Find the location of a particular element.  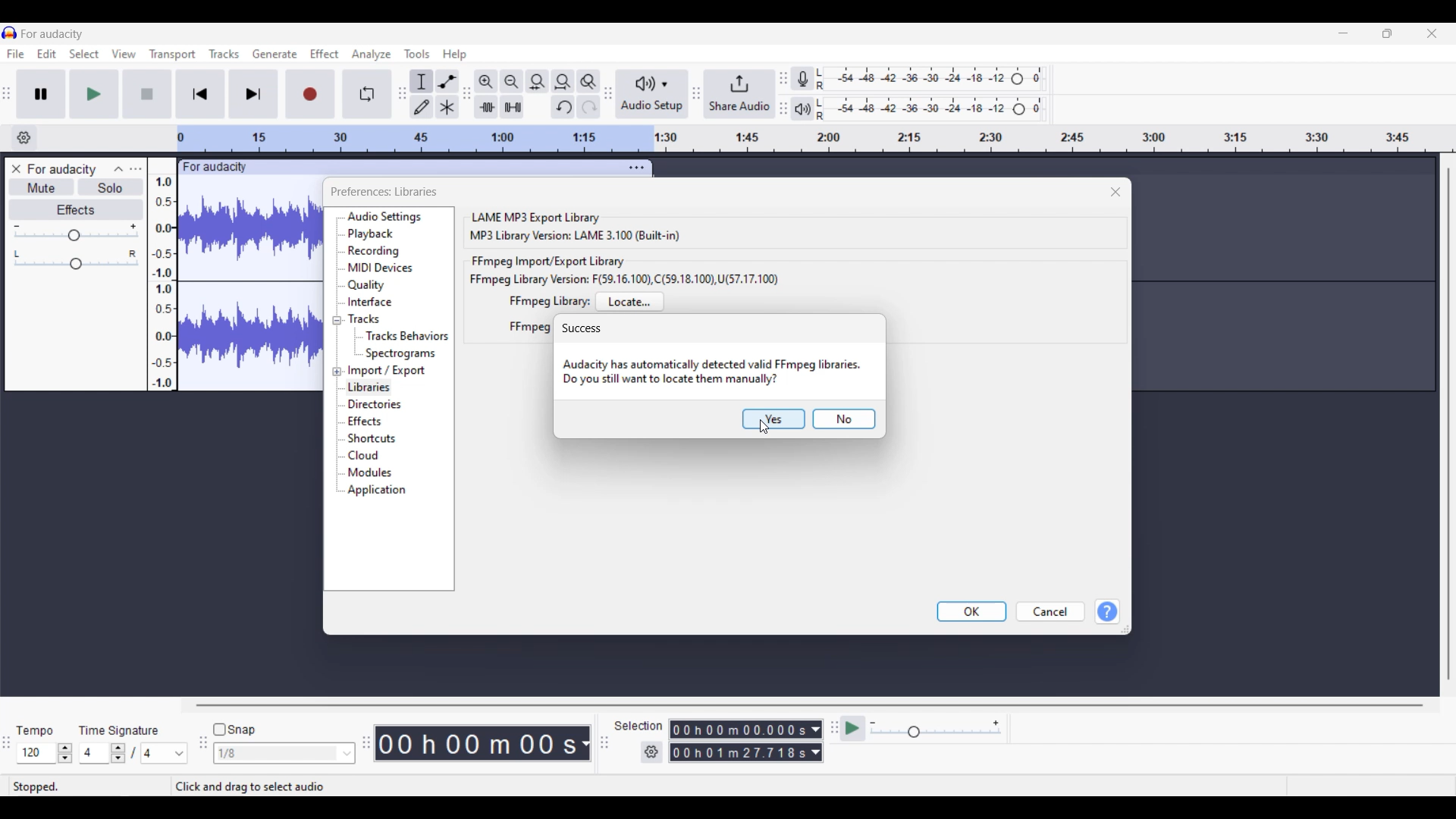

Track name is located at coordinates (62, 169).